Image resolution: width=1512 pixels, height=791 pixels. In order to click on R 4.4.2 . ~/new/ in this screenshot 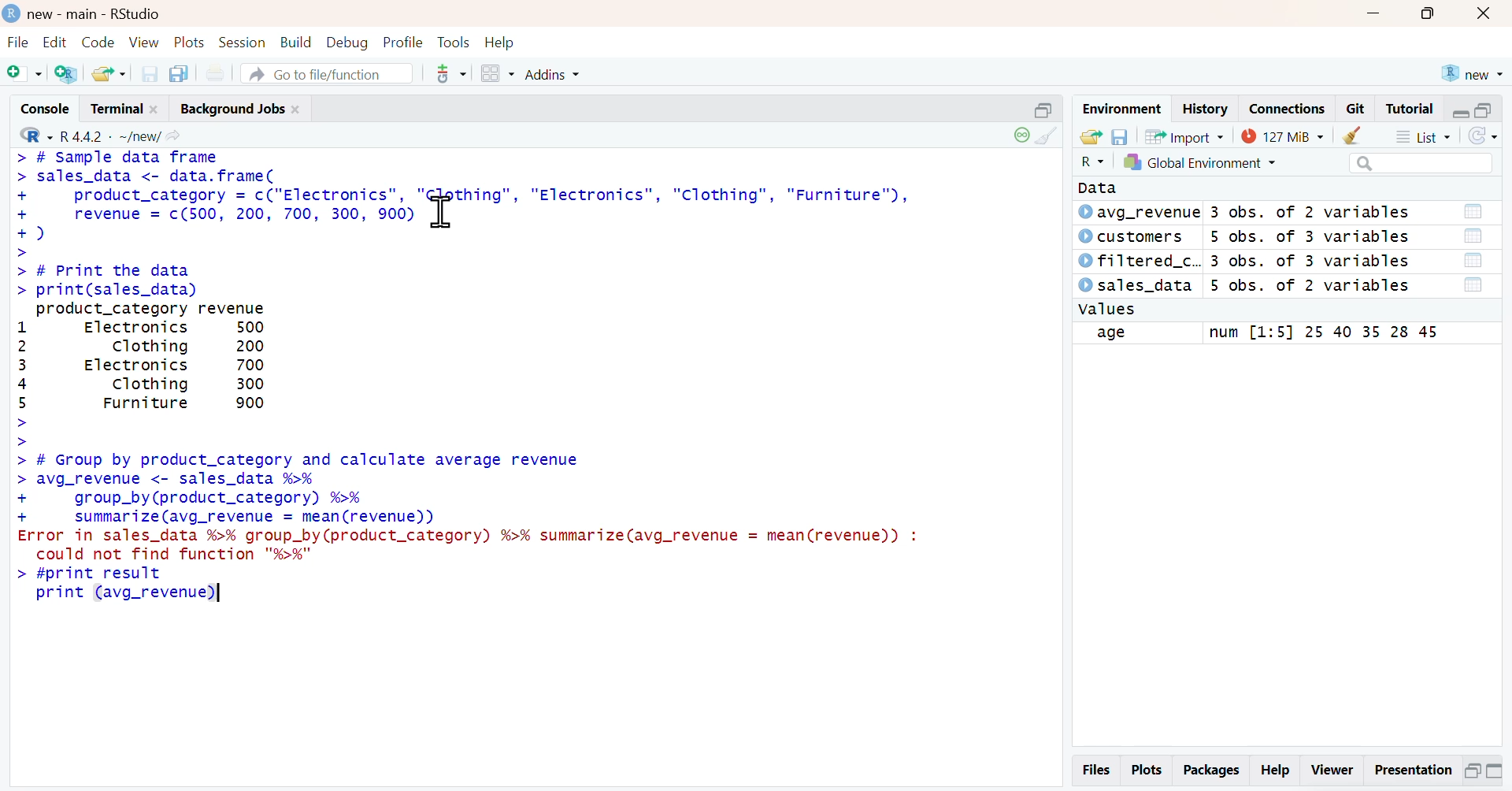, I will do `click(121, 136)`.